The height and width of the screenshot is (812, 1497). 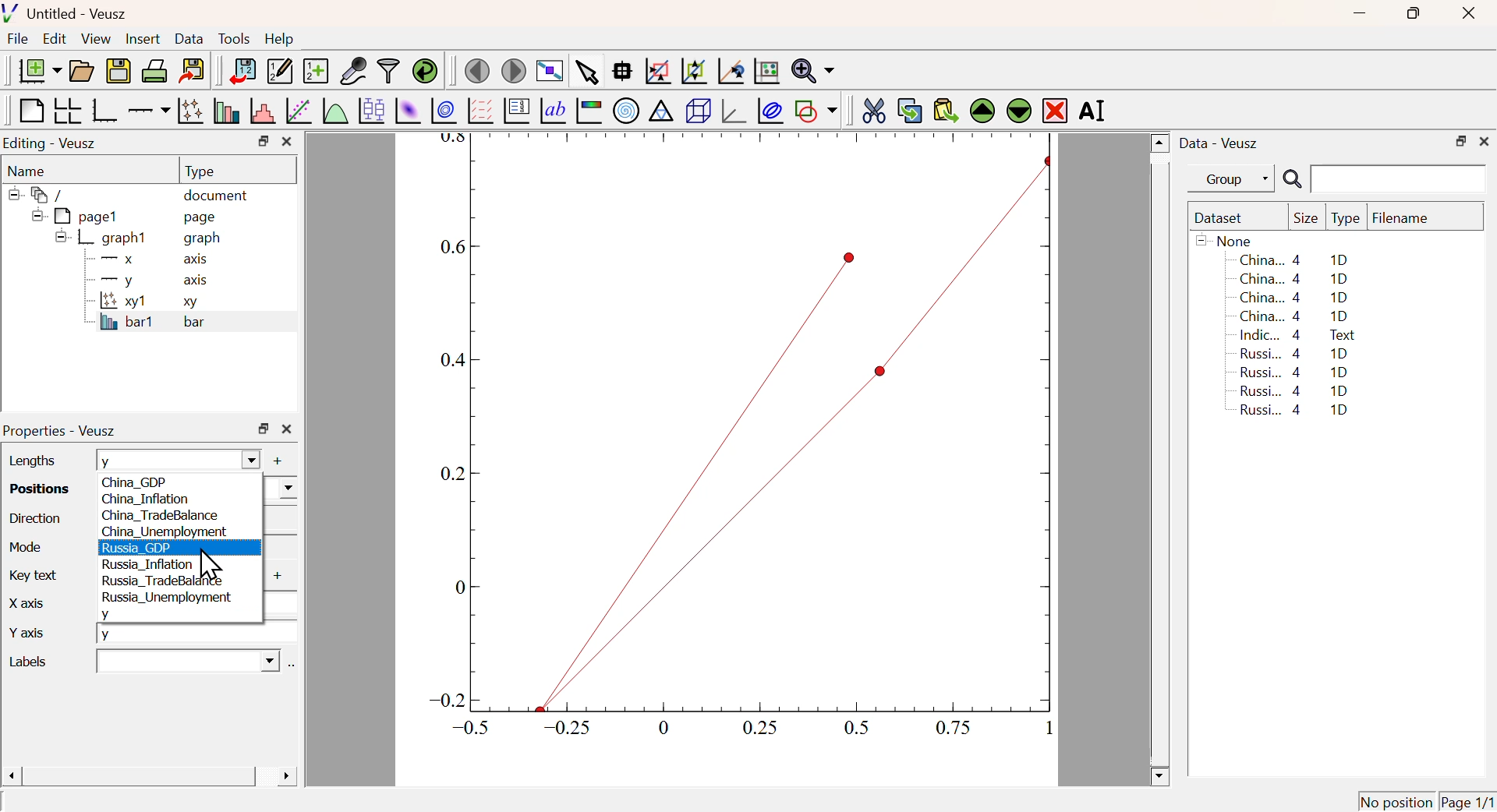 What do you see at coordinates (1292, 180) in the screenshot?
I see `Search` at bounding box center [1292, 180].